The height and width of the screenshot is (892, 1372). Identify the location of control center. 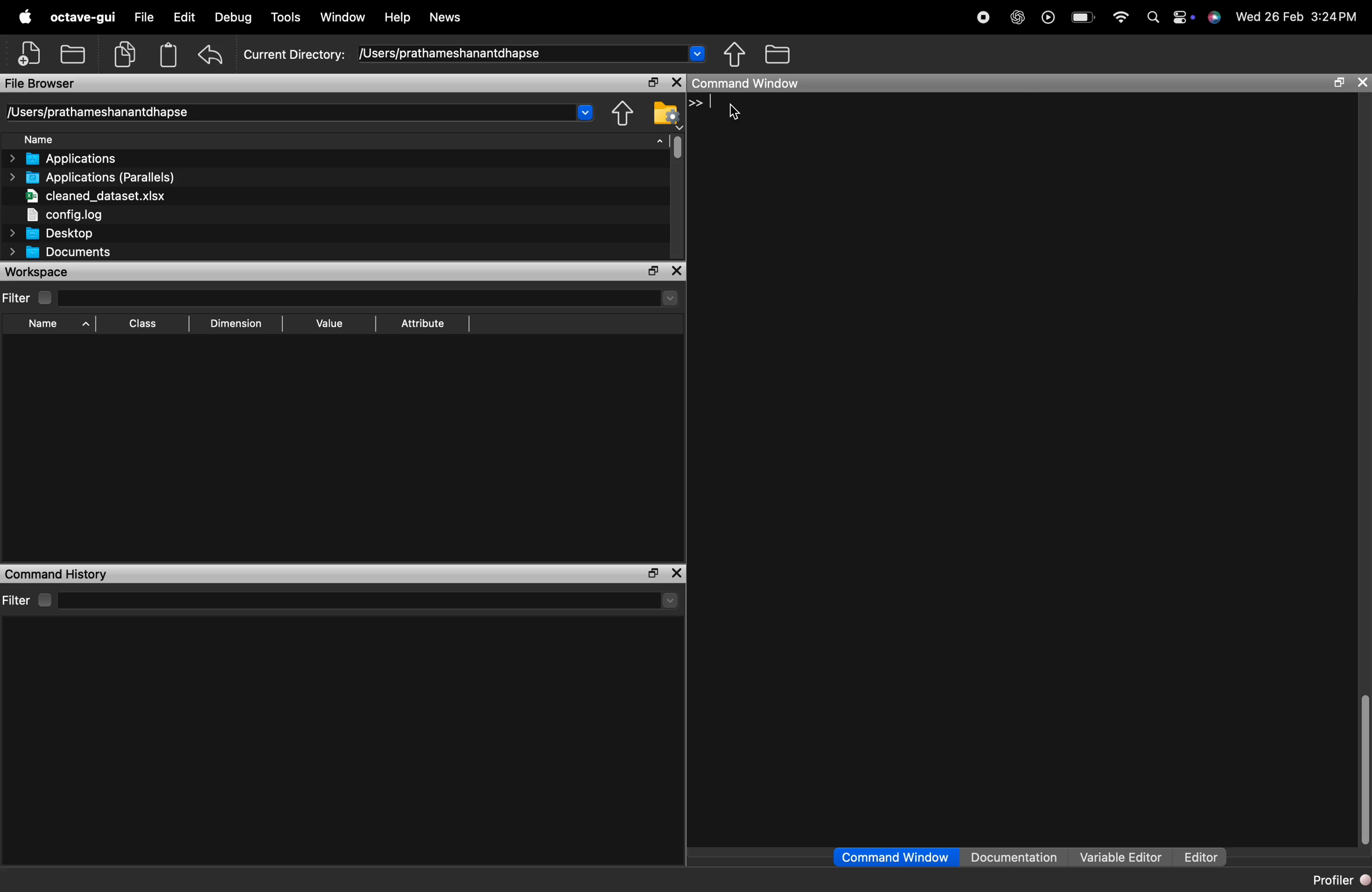
(1182, 18).